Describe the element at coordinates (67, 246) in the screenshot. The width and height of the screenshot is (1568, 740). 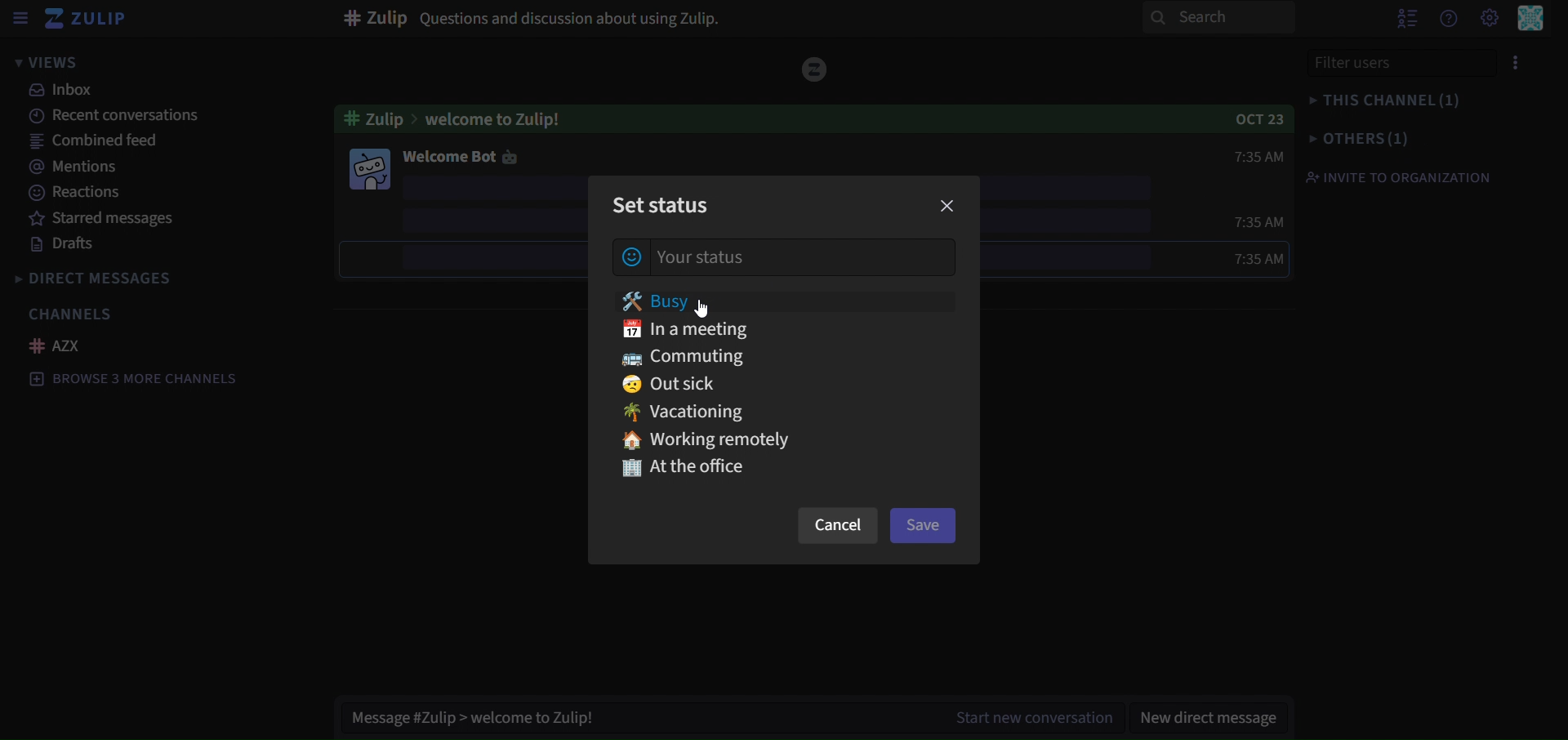
I see `drafts` at that location.